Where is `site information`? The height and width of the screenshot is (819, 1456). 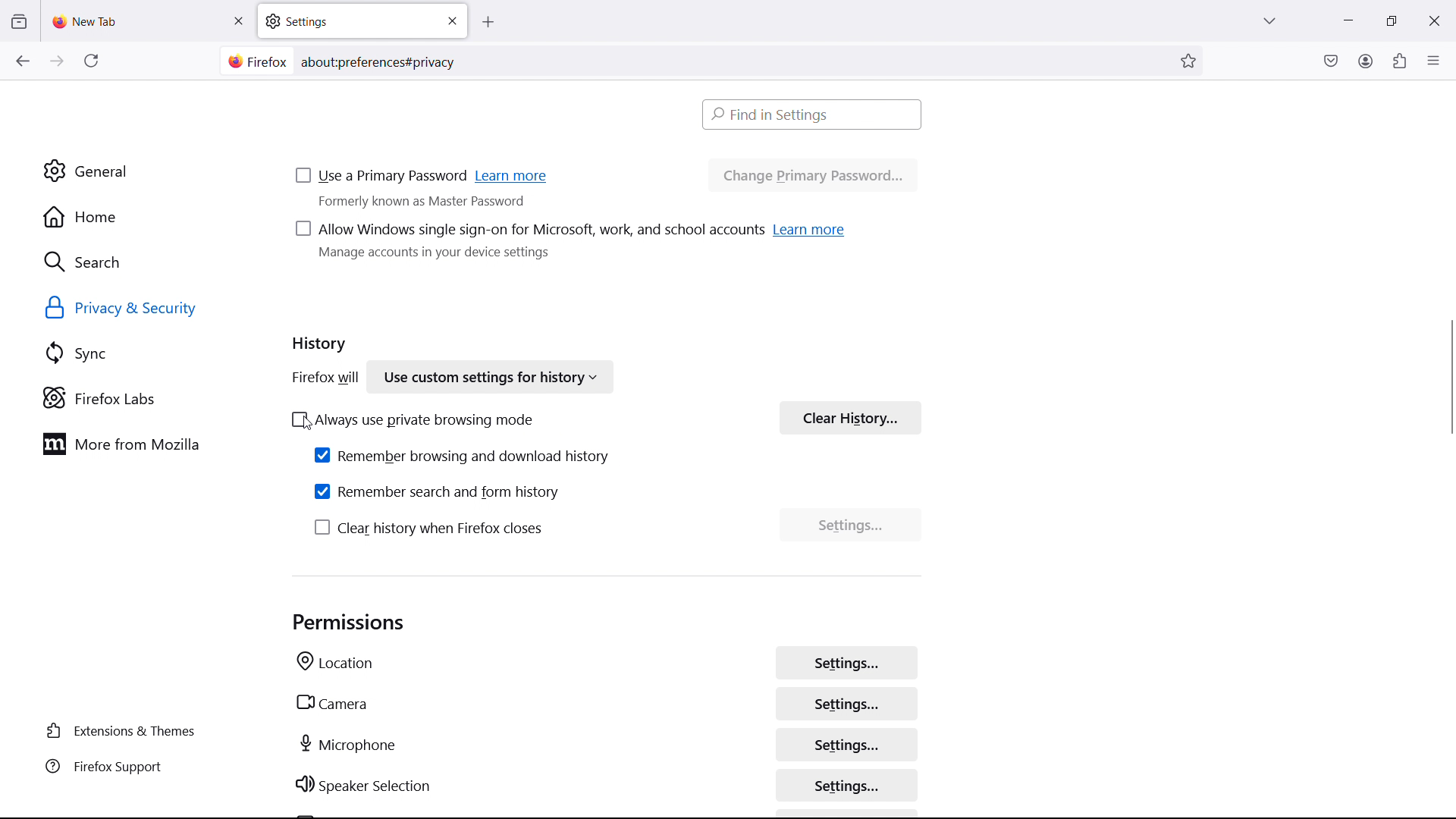
site information is located at coordinates (255, 61).